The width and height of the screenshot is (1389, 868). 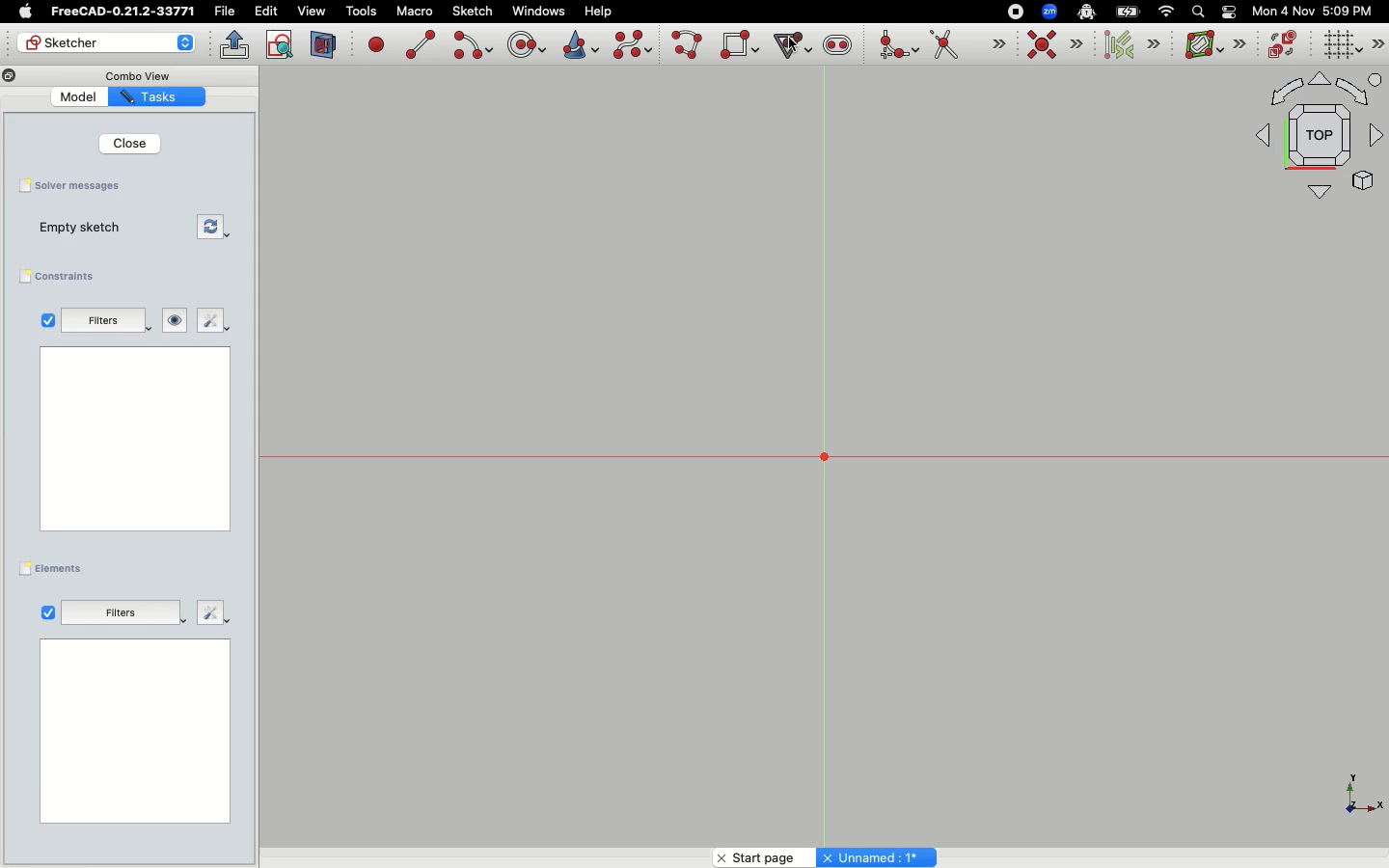 I want to click on Switch virtual space, so click(x=1285, y=45).